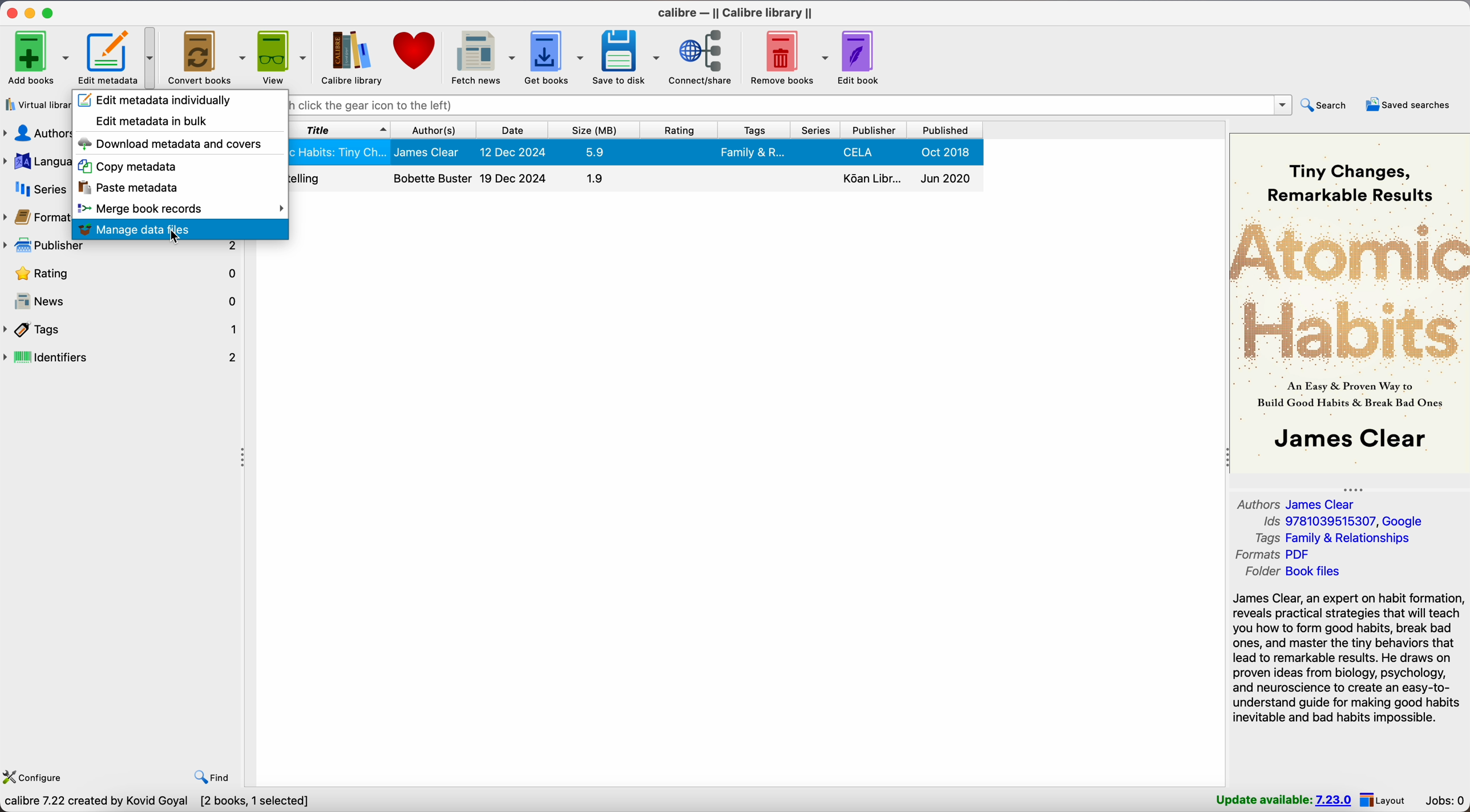 The image size is (1470, 812). I want to click on Calibre 7.22 created by Kovid Goyal [2 books], so click(127, 803).